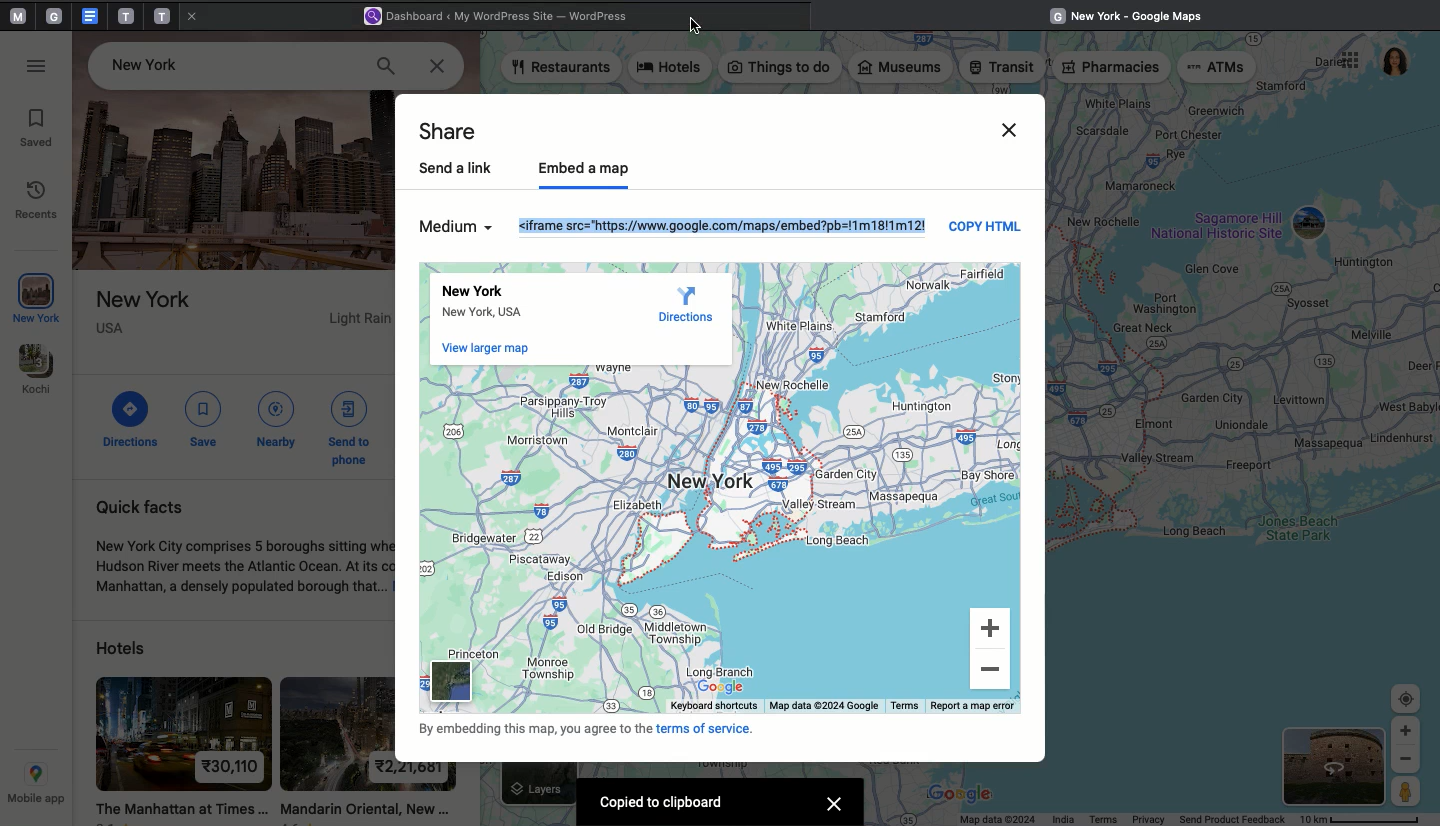 This screenshot has height=826, width=1440. I want to click on Send a link, so click(461, 169).